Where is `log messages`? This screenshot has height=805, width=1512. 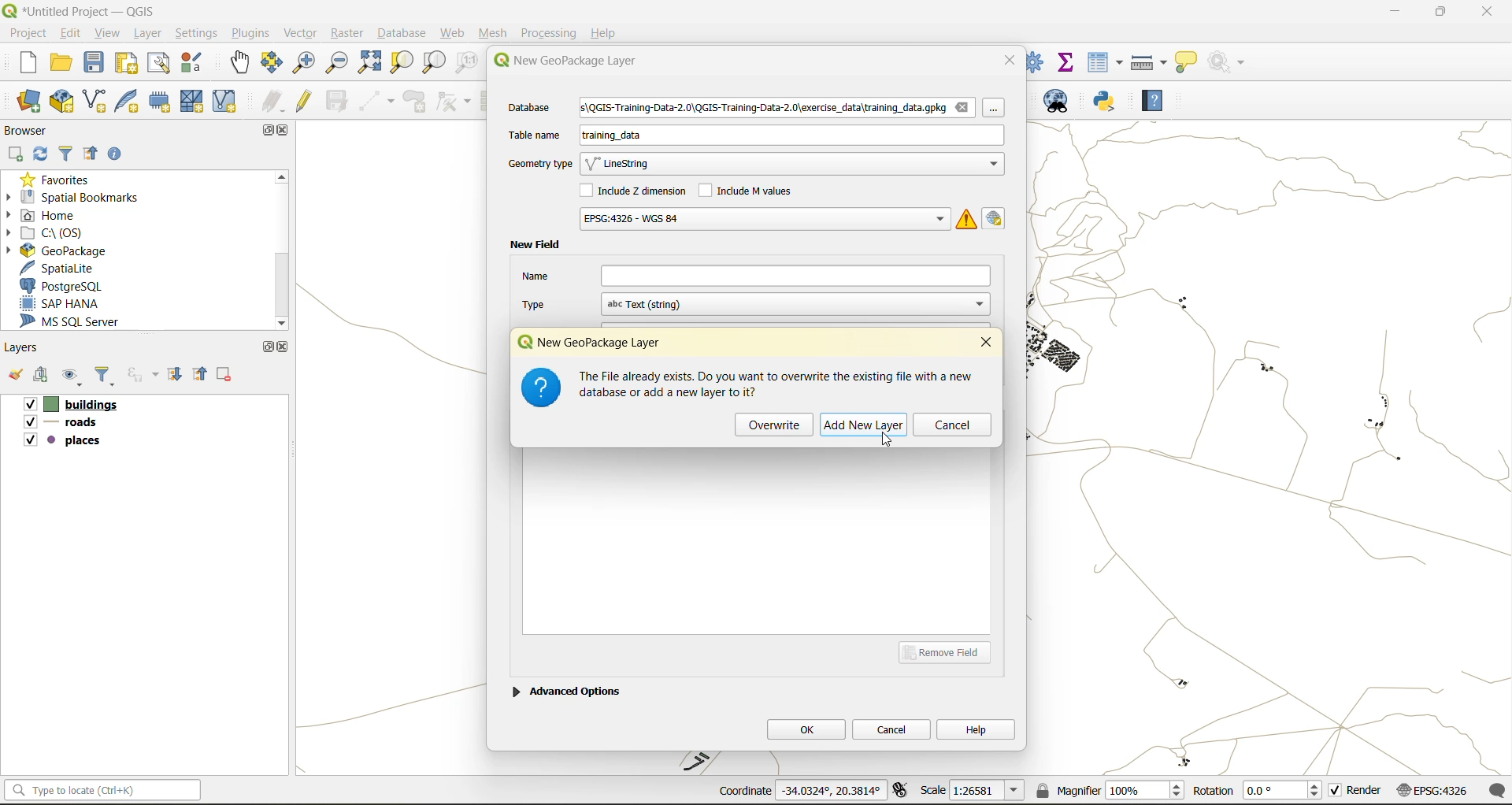 log messages is located at coordinates (1499, 790).